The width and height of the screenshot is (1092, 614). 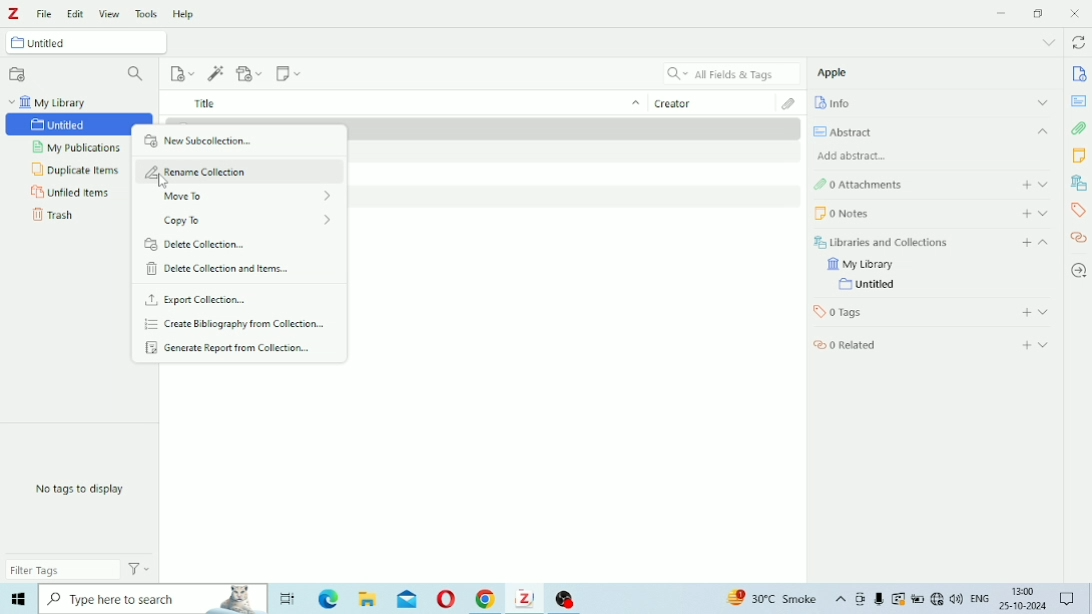 I want to click on New Note, so click(x=289, y=72).